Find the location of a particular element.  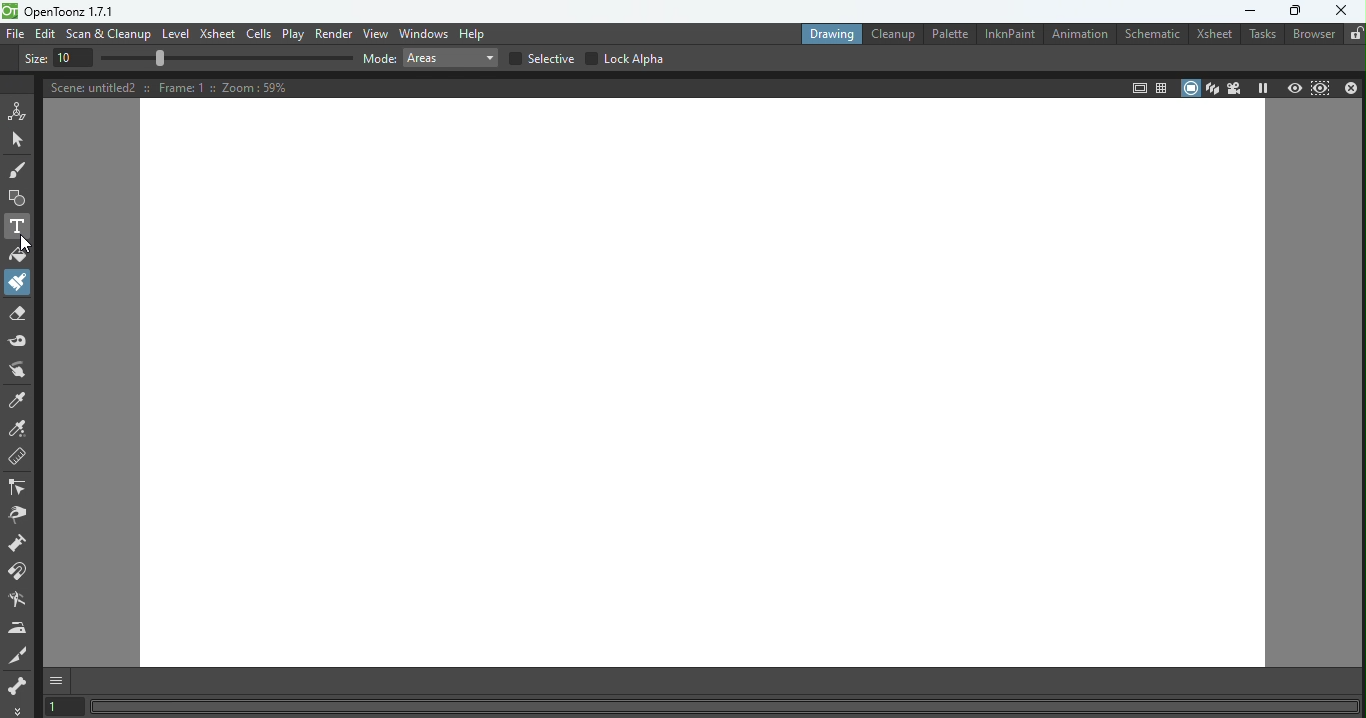

Windows is located at coordinates (426, 33).